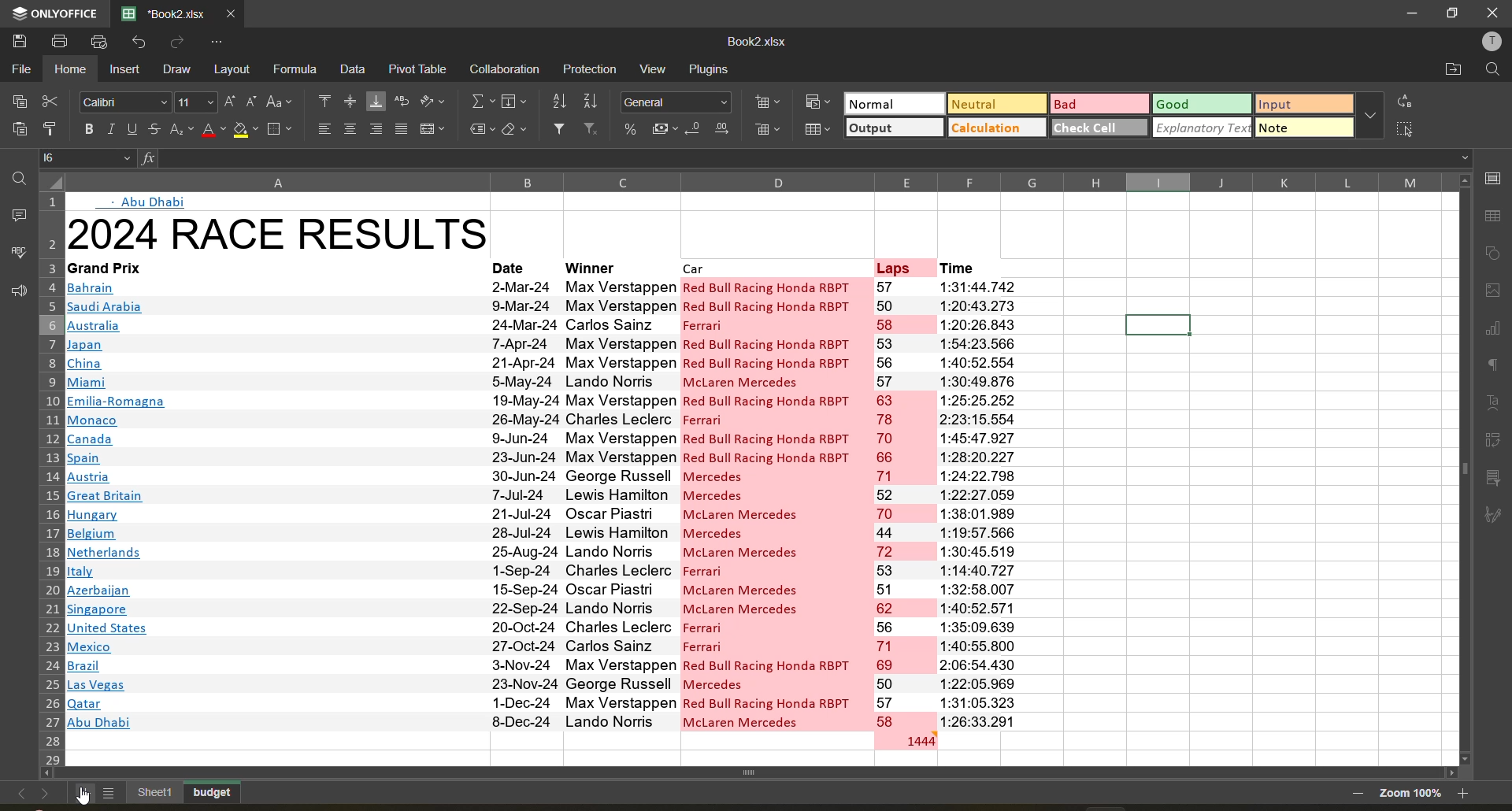 This screenshot has height=811, width=1512. Describe the element at coordinates (1460, 180) in the screenshot. I see `scroll up` at that location.